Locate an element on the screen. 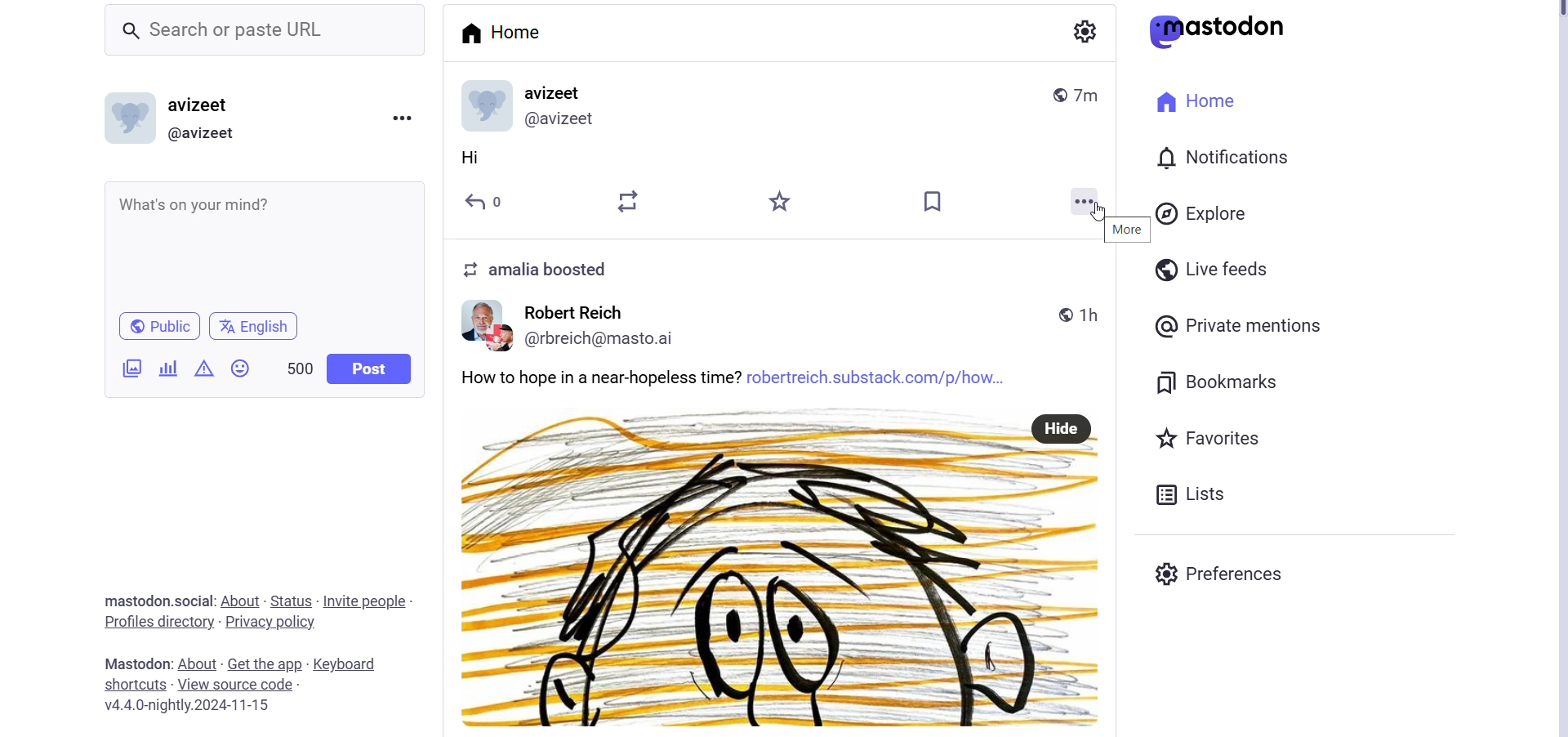 The width and height of the screenshot is (1568, 737). Notification is located at coordinates (1221, 159).